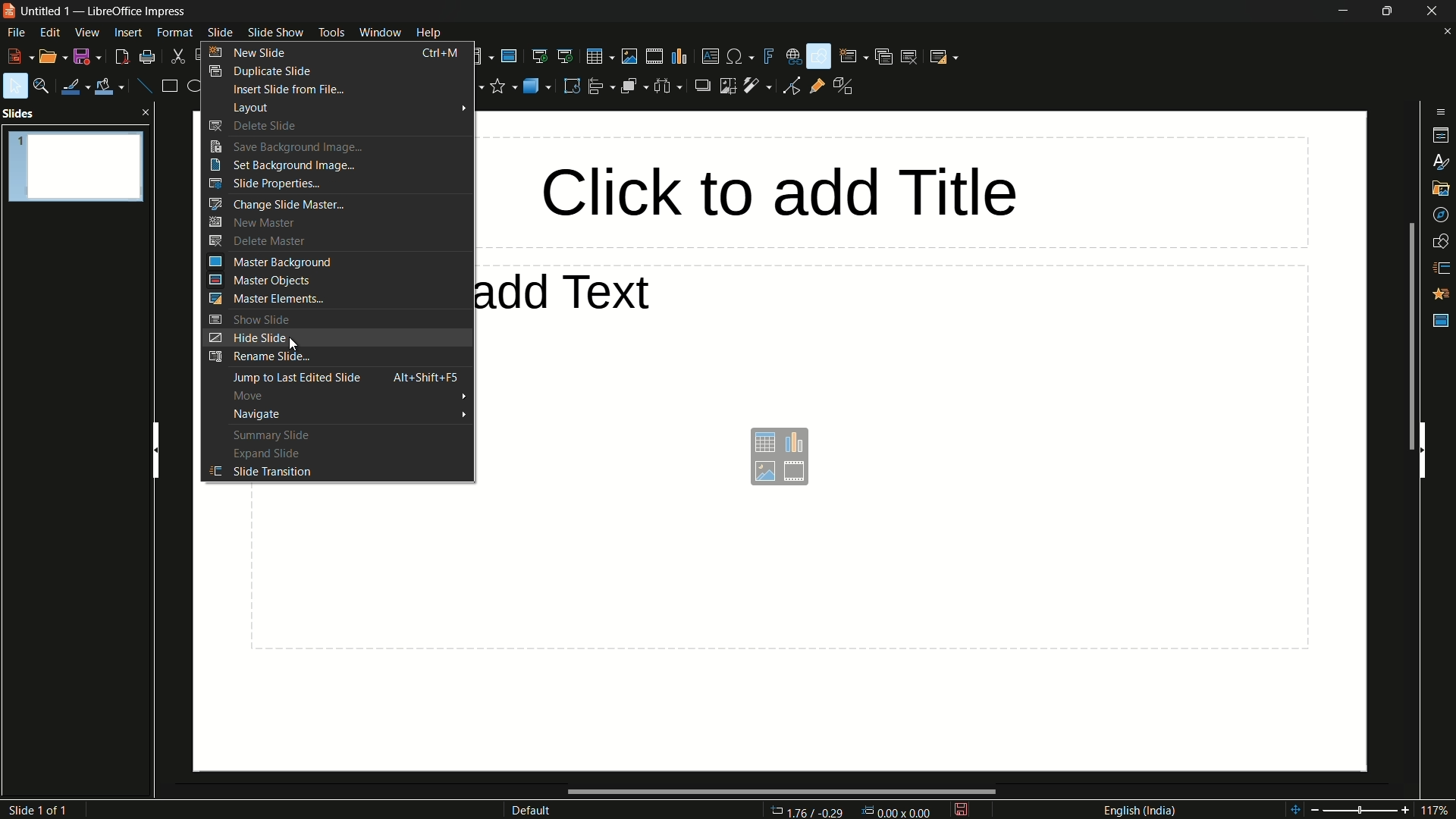  Describe the element at coordinates (351, 108) in the screenshot. I see `layout` at that location.